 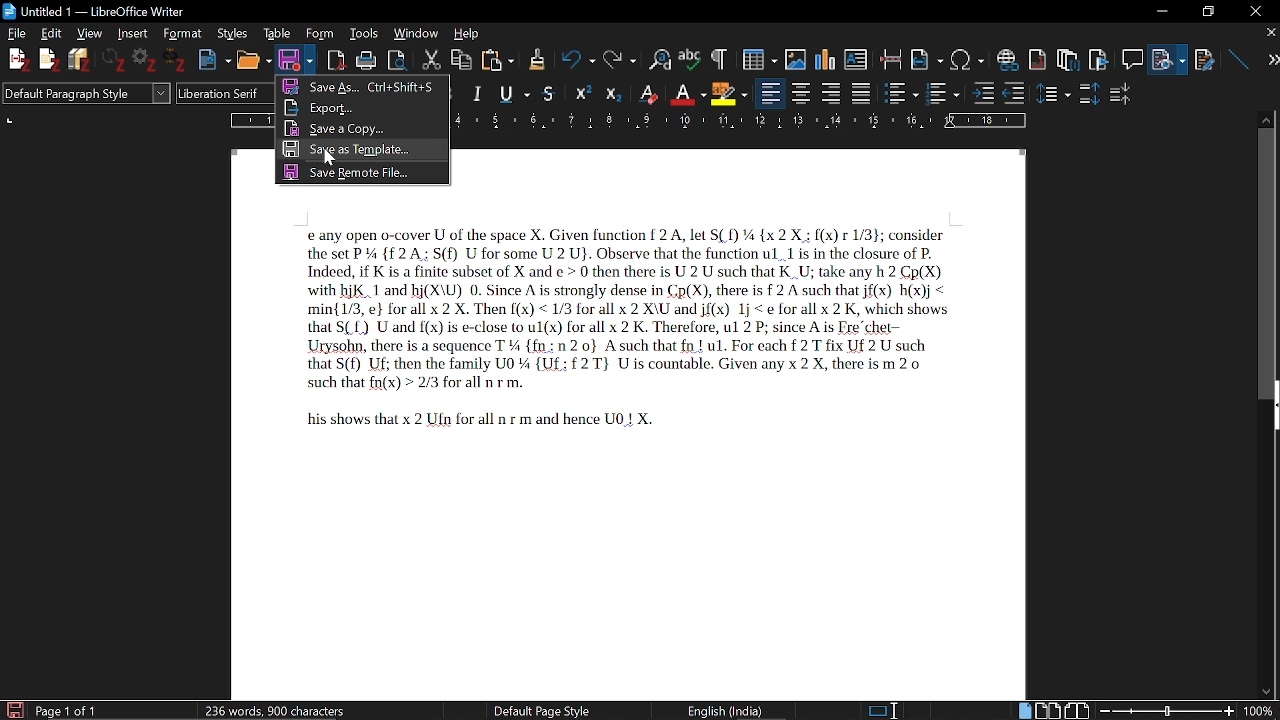 I want to click on Insert field, so click(x=927, y=55).